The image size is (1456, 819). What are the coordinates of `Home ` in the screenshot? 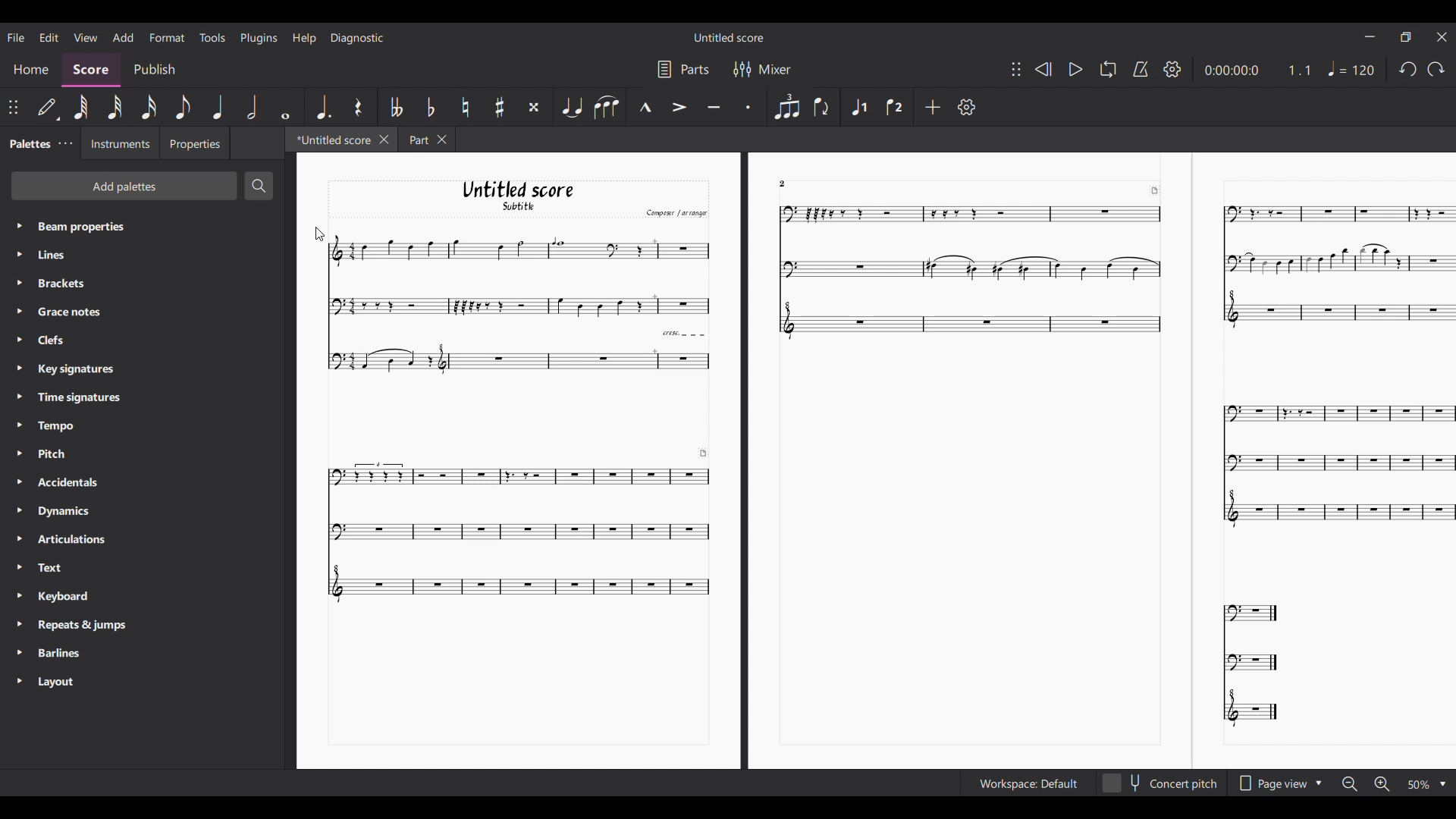 It's located at (31, 71).